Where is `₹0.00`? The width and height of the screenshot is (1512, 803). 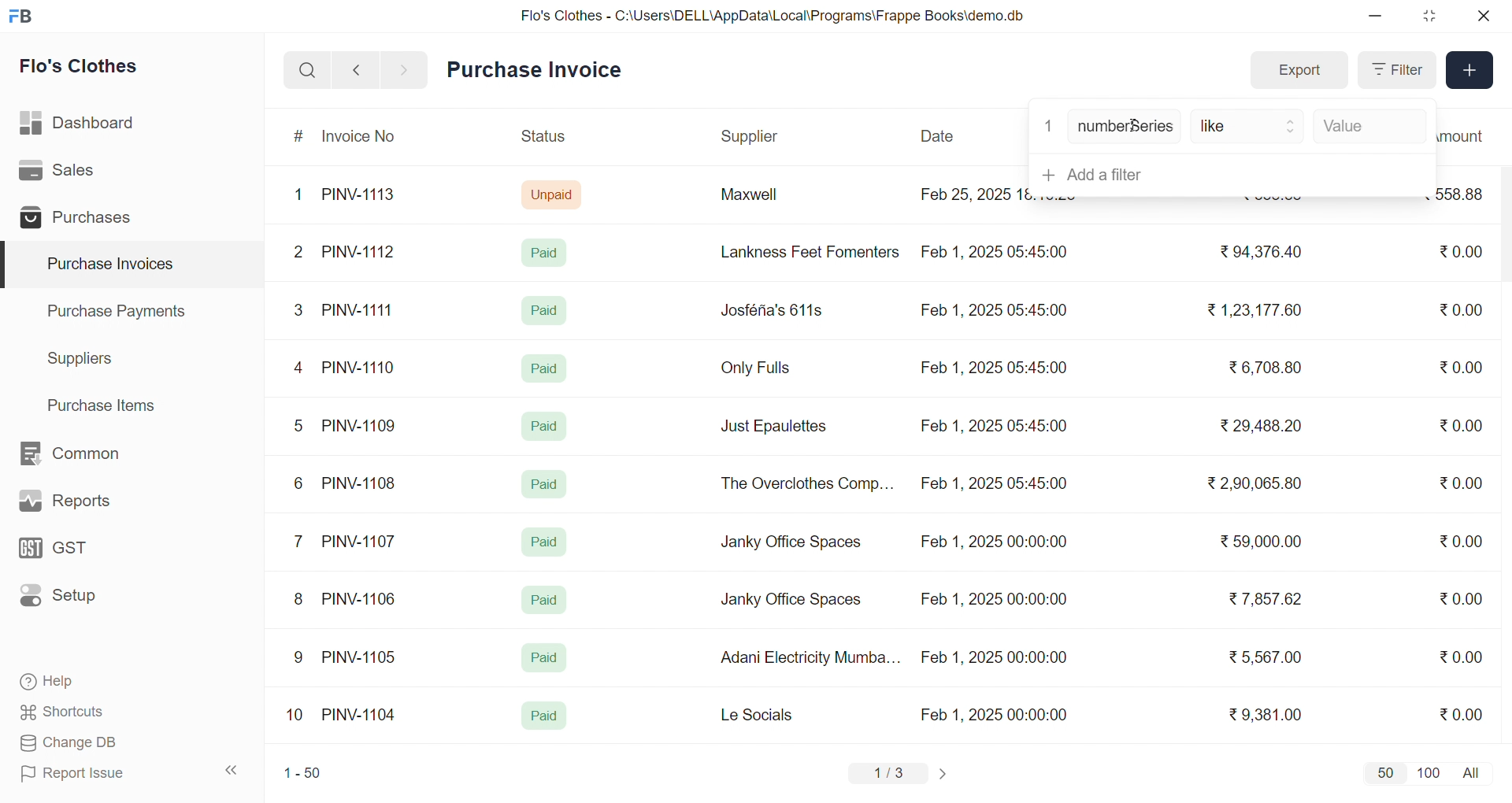 ₹0.00 is located at coordinates (1463, 309).